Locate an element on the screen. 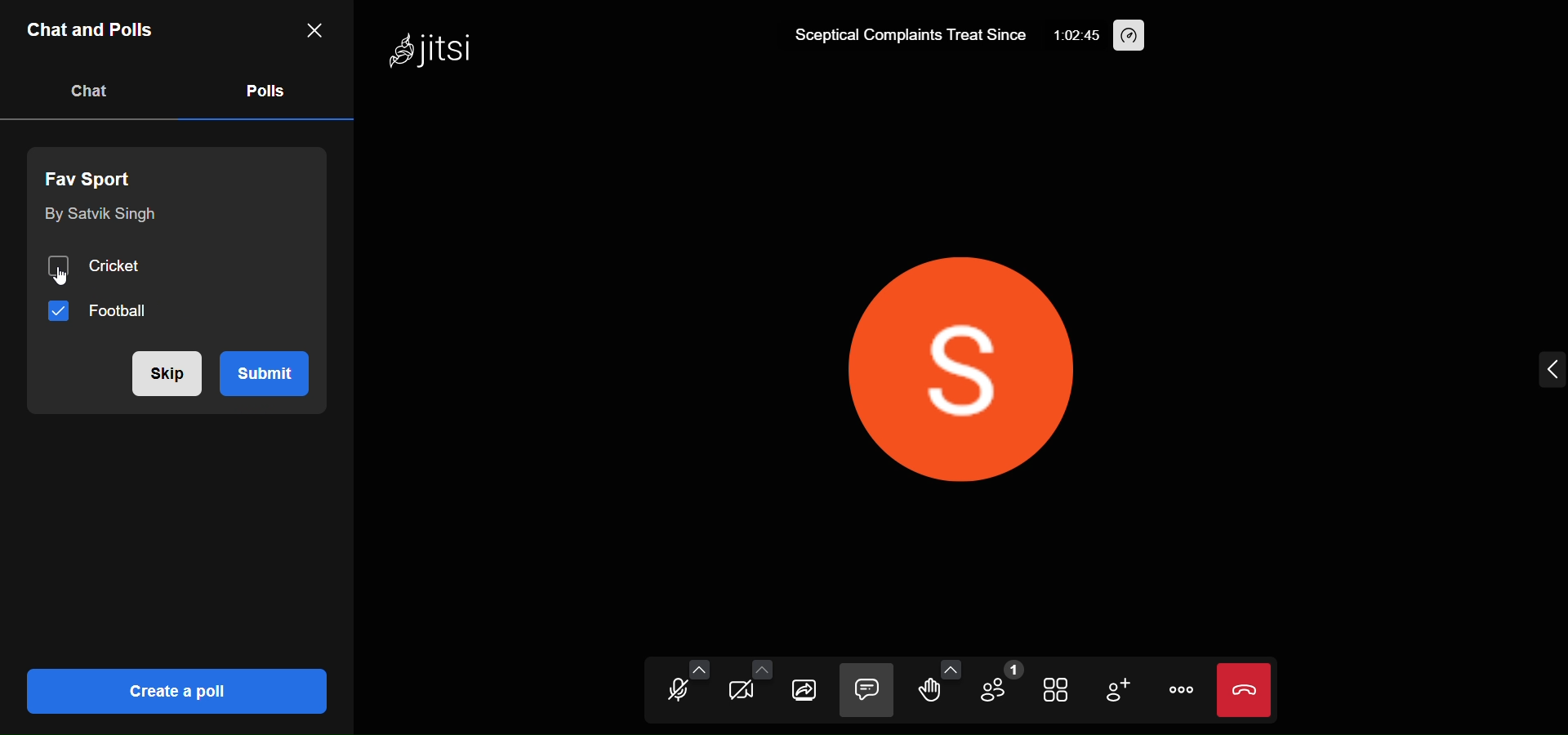 The width and height of the screenshot is (1568, 735). Cricket is located at coordinates (102, 265).